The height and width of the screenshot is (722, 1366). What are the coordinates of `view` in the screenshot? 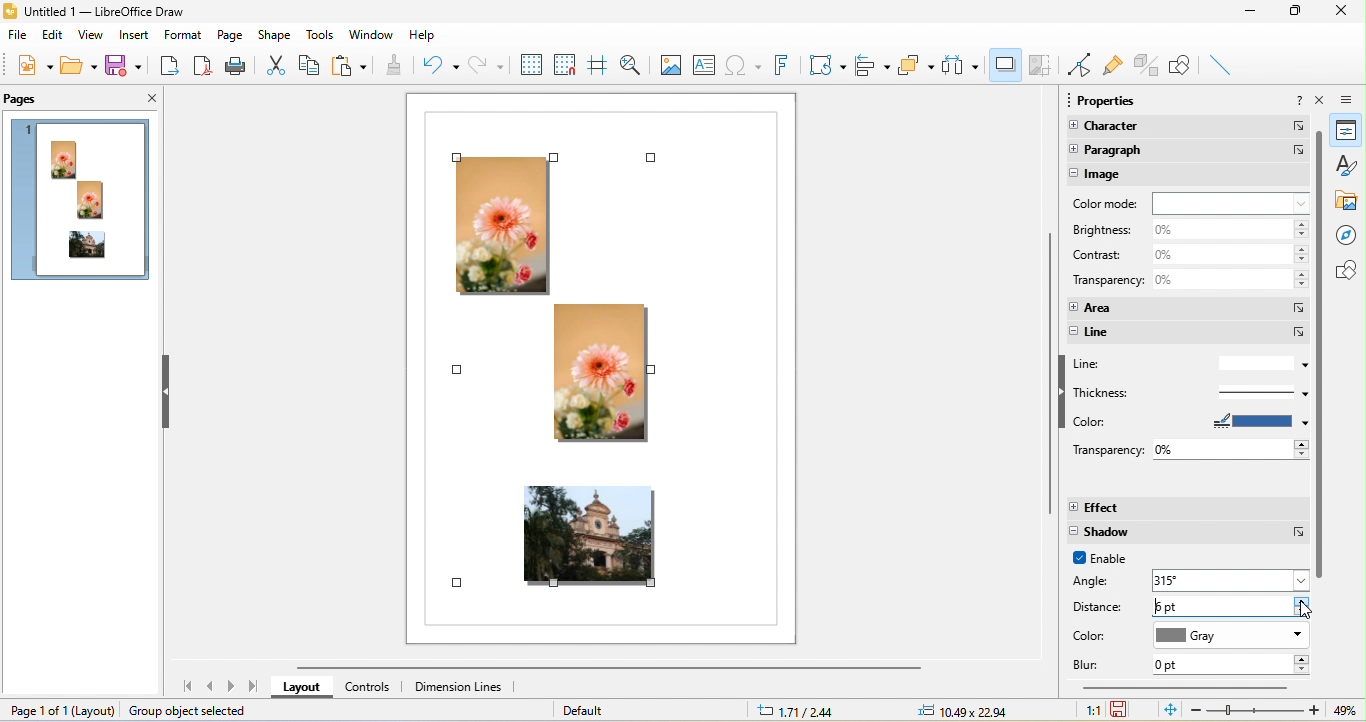 It's located at (92, 37).